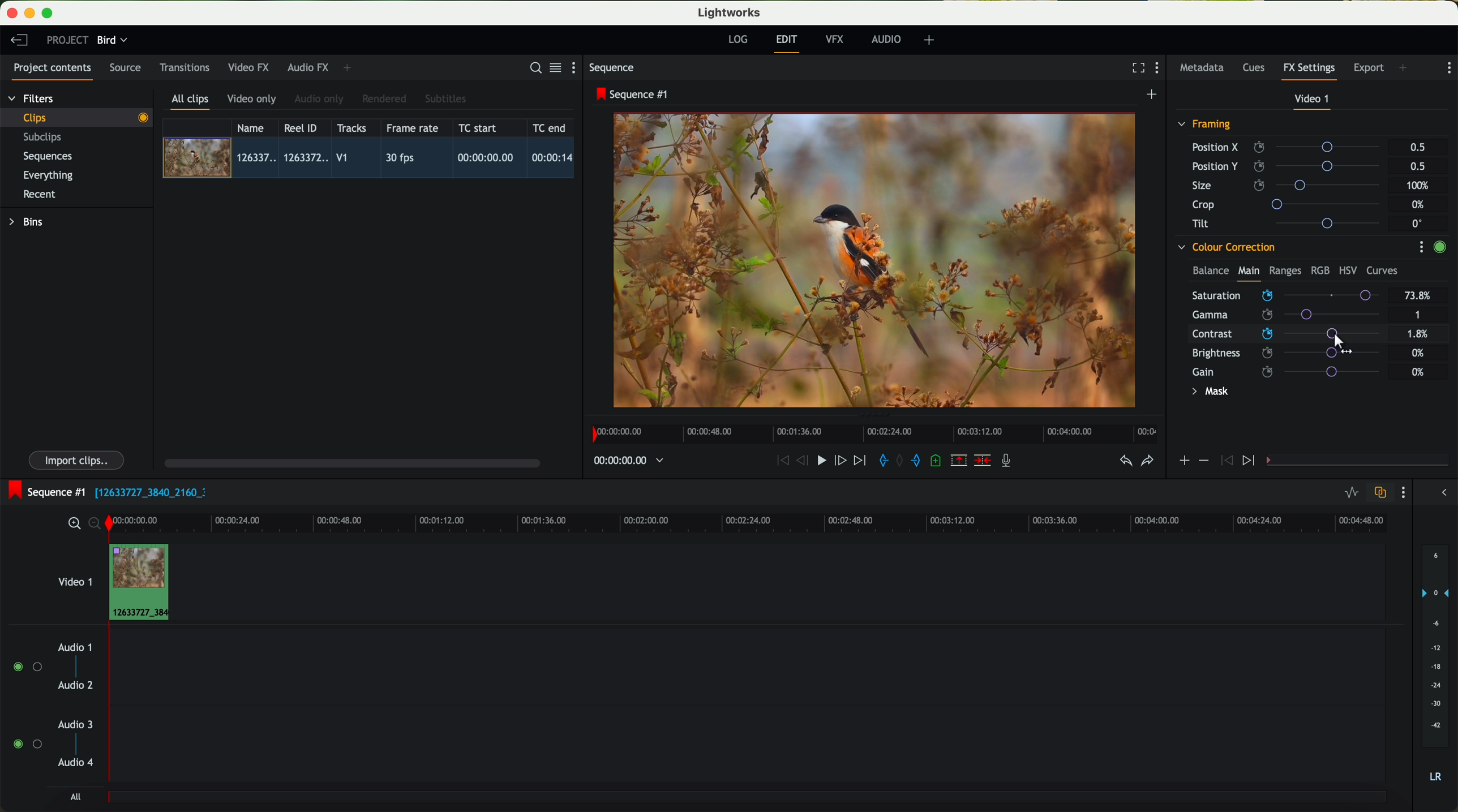  What do you see at coordinates (28, 222) in the screenshot?
I see `bins` at bounding box center [28, 222].